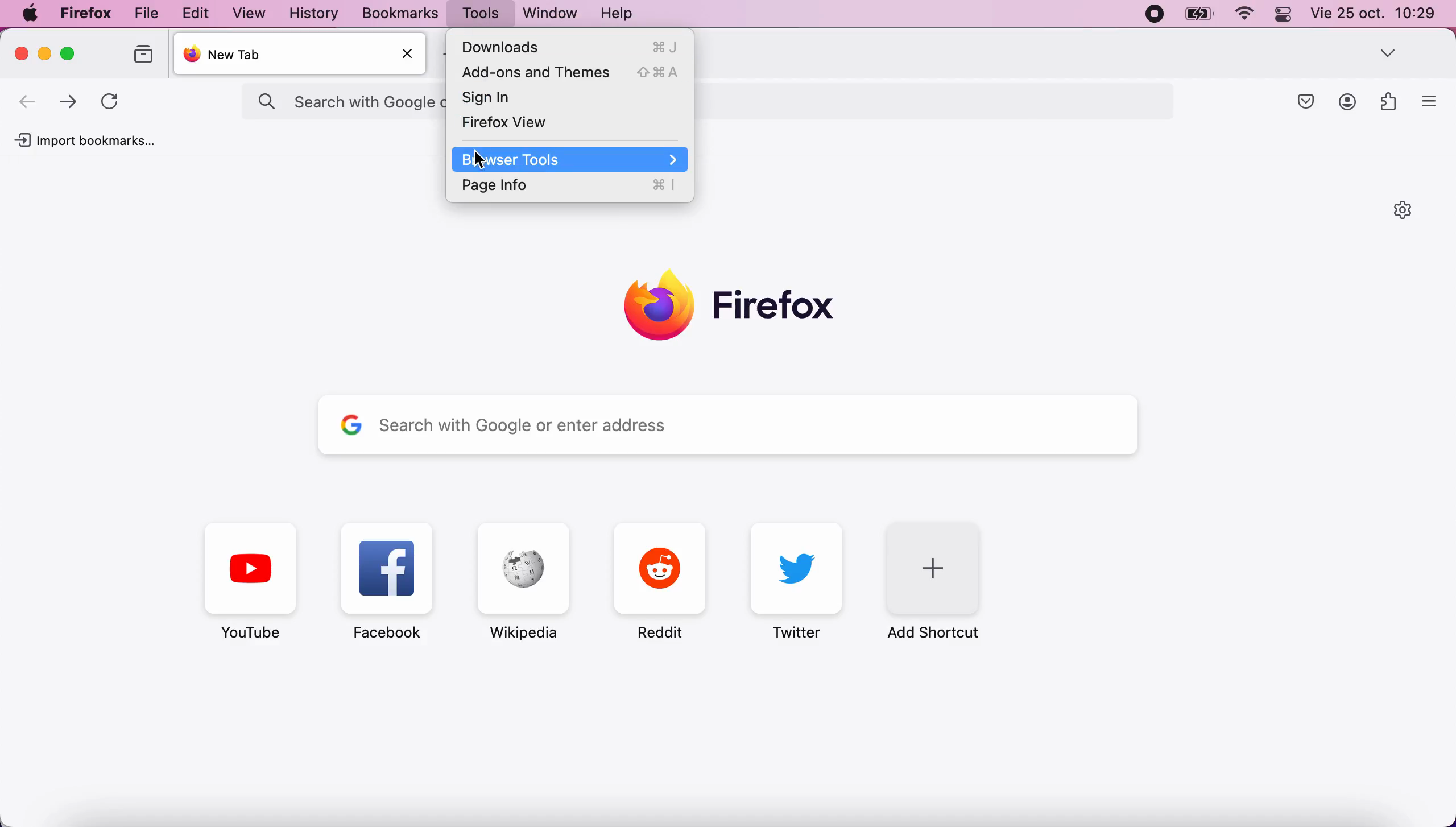 Image resolution: width=1456 pixels, height=827 pixels. What do you see at coordinates (1306, 102) in the screenshot?
I see `Macsafe` at bounding box center [1306, 102].